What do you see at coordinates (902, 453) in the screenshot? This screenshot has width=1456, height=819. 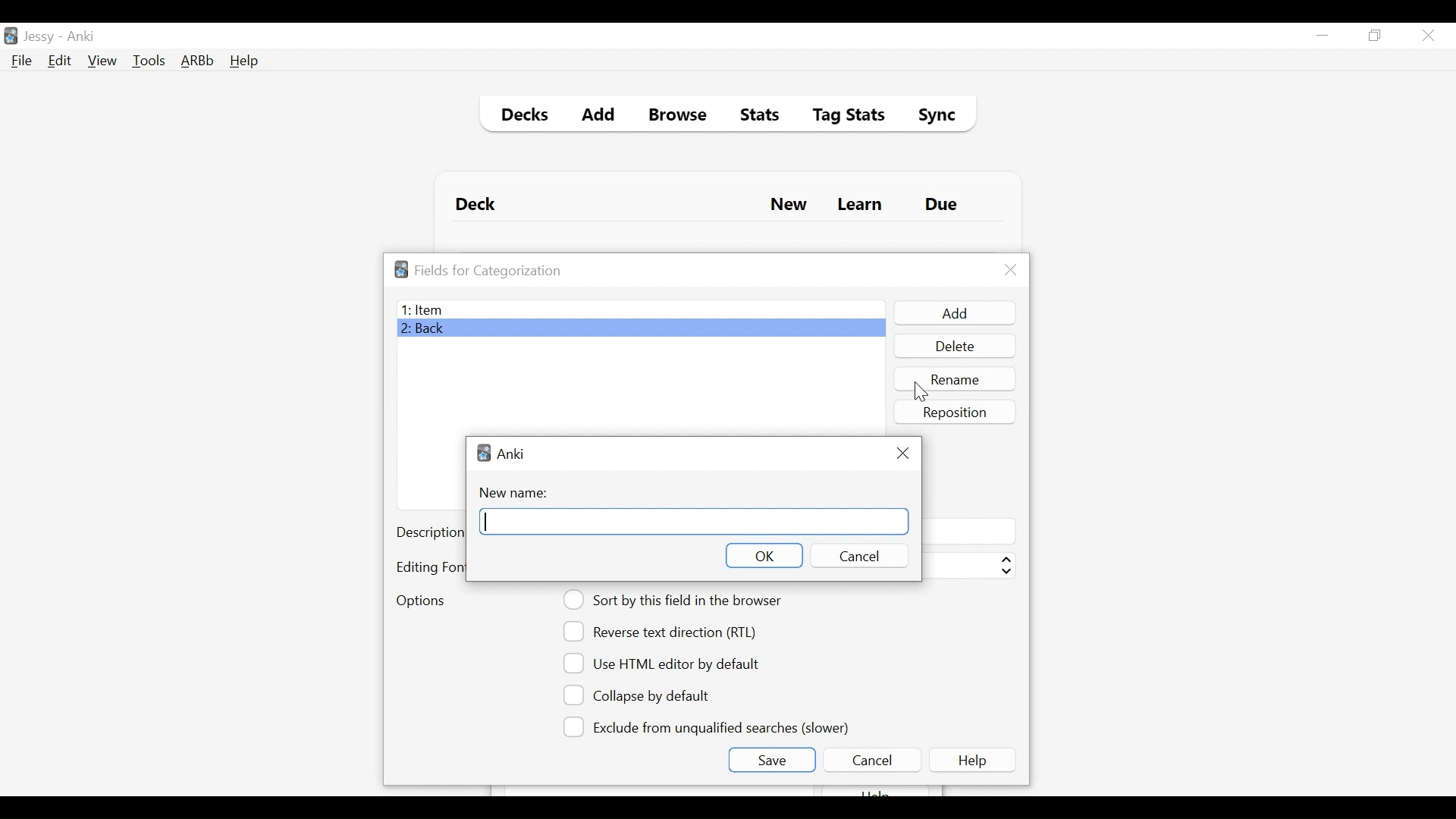 I see `Close` at bounding box center [902, 453].